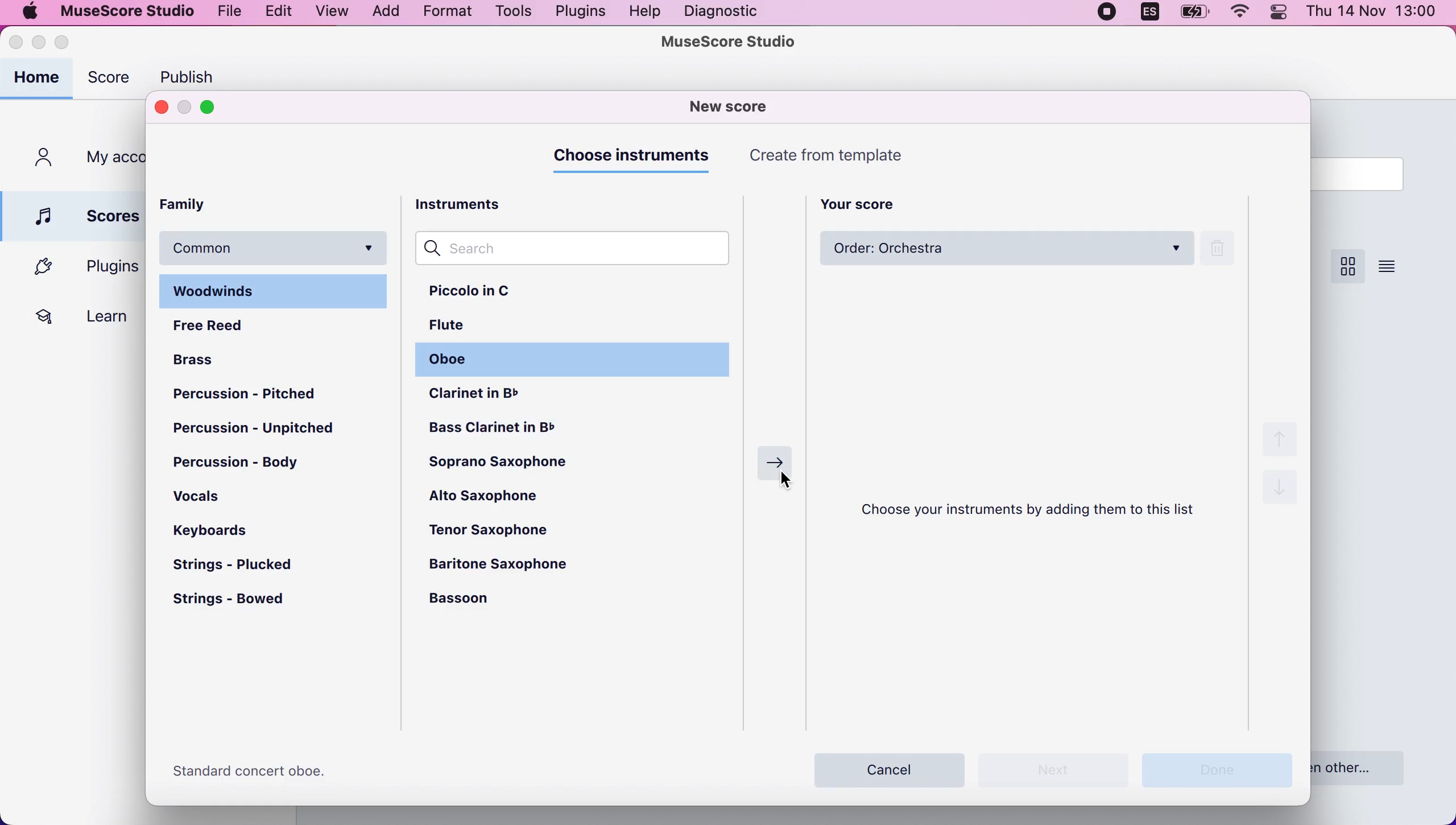 Image resolution: width=1456 pixels, height=825 pixels. What do you see at coordinates (217, 324) in the screenshot?
I see `free reed` at bounding box center [217, 324].